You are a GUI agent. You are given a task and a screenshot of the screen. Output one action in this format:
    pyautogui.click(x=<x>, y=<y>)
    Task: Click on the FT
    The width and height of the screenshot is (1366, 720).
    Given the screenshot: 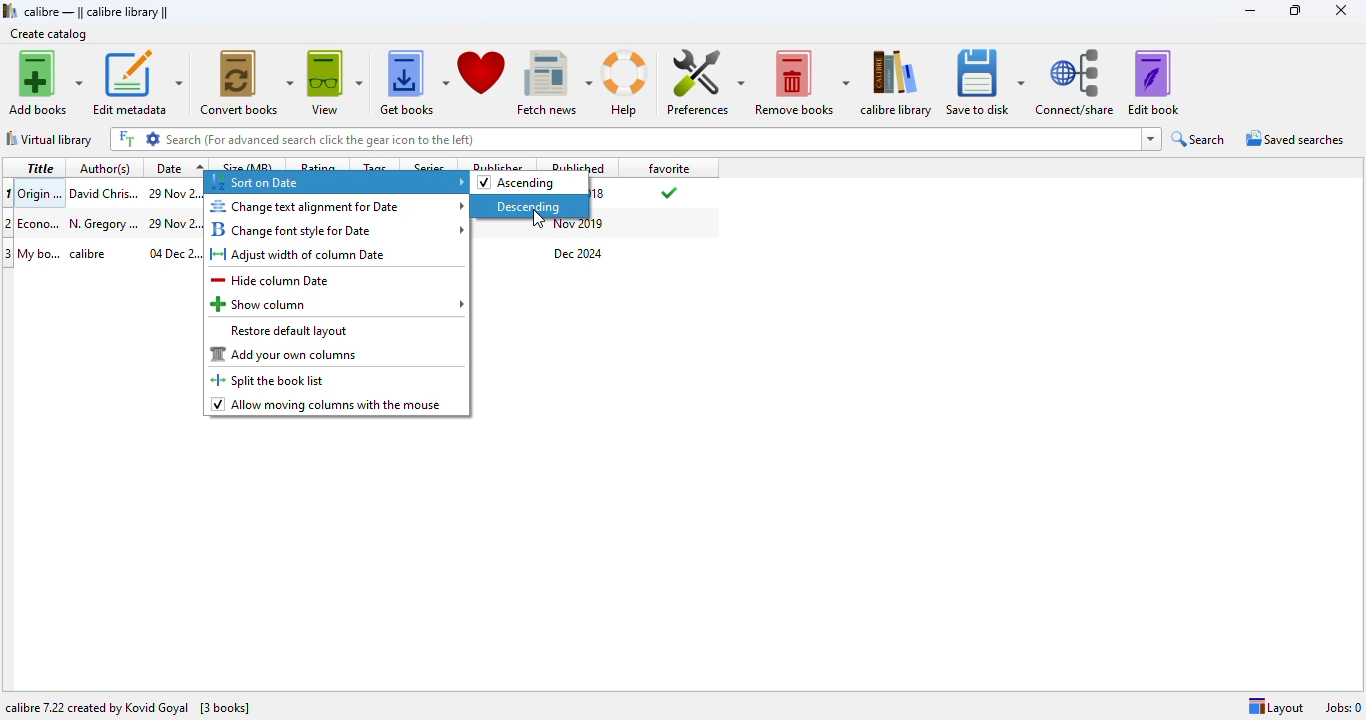 What is the action you would take?
    pyautogui.click(x=126, y=139)
    